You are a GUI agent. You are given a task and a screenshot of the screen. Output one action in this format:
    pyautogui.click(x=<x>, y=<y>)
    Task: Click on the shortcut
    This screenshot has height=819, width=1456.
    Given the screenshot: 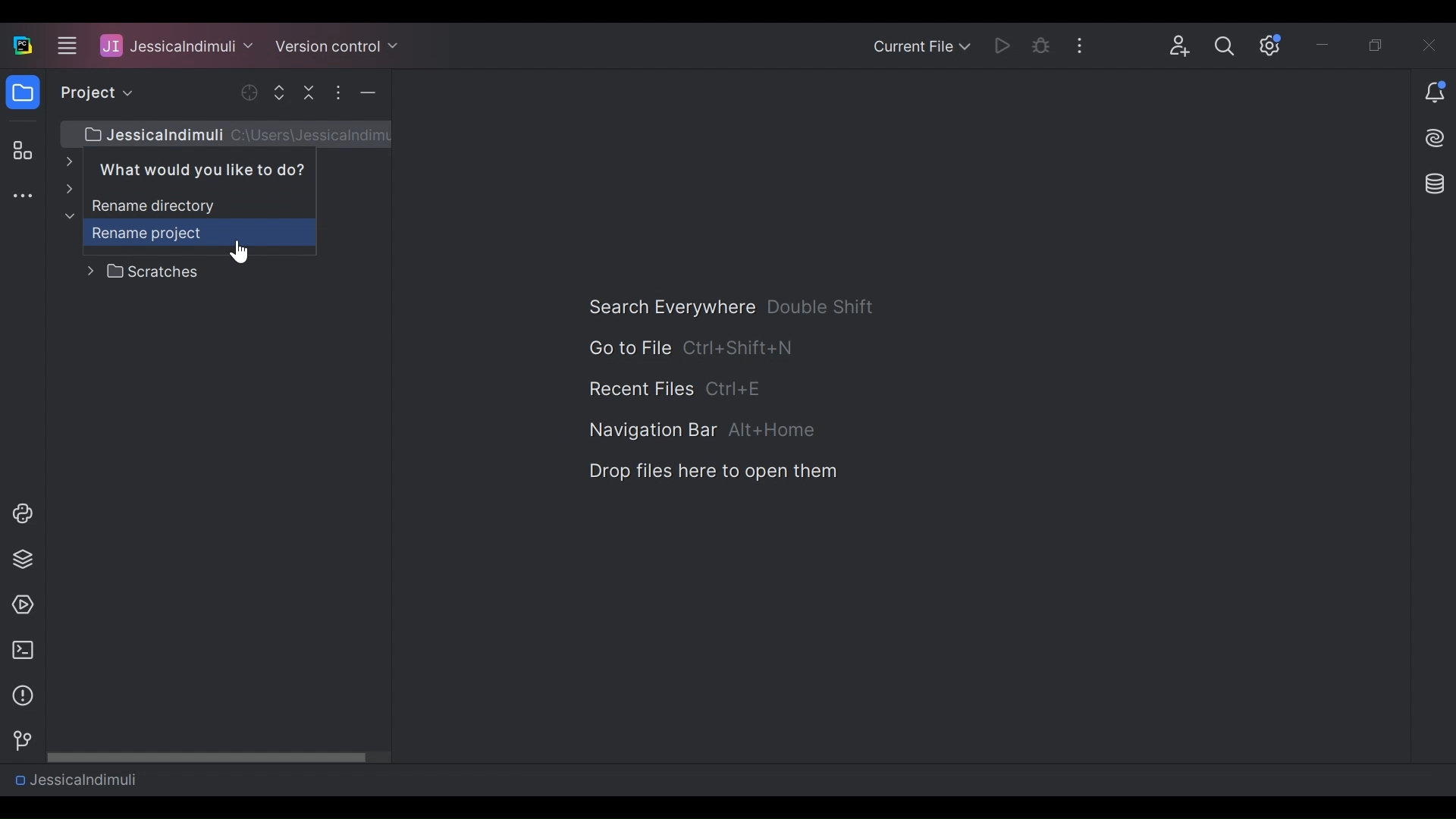 What is the action you would take?
    pyautogui.click(x=739, y=347)
    